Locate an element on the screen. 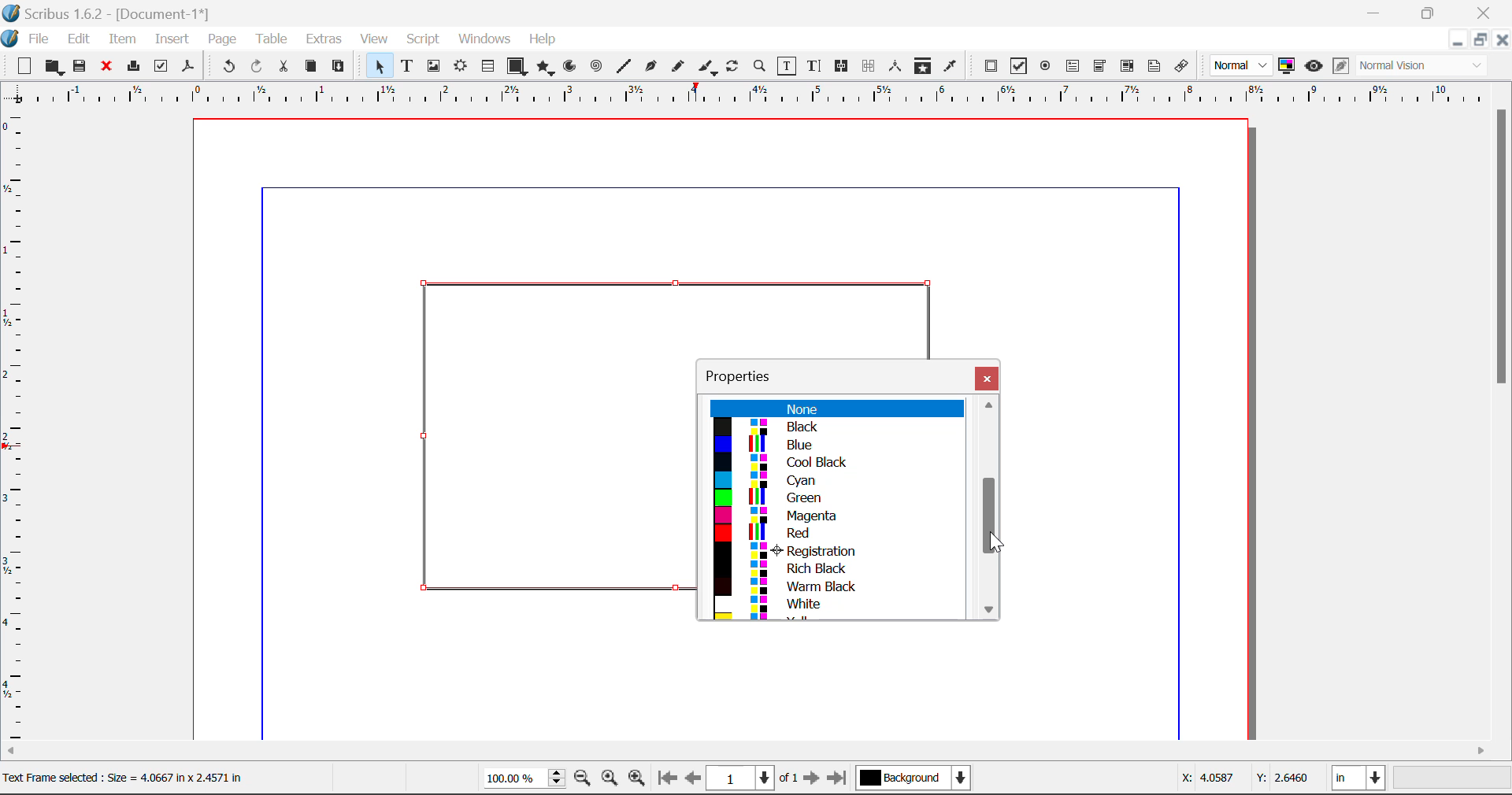  Toggle Color Management is located at coordinates (1288, 67).